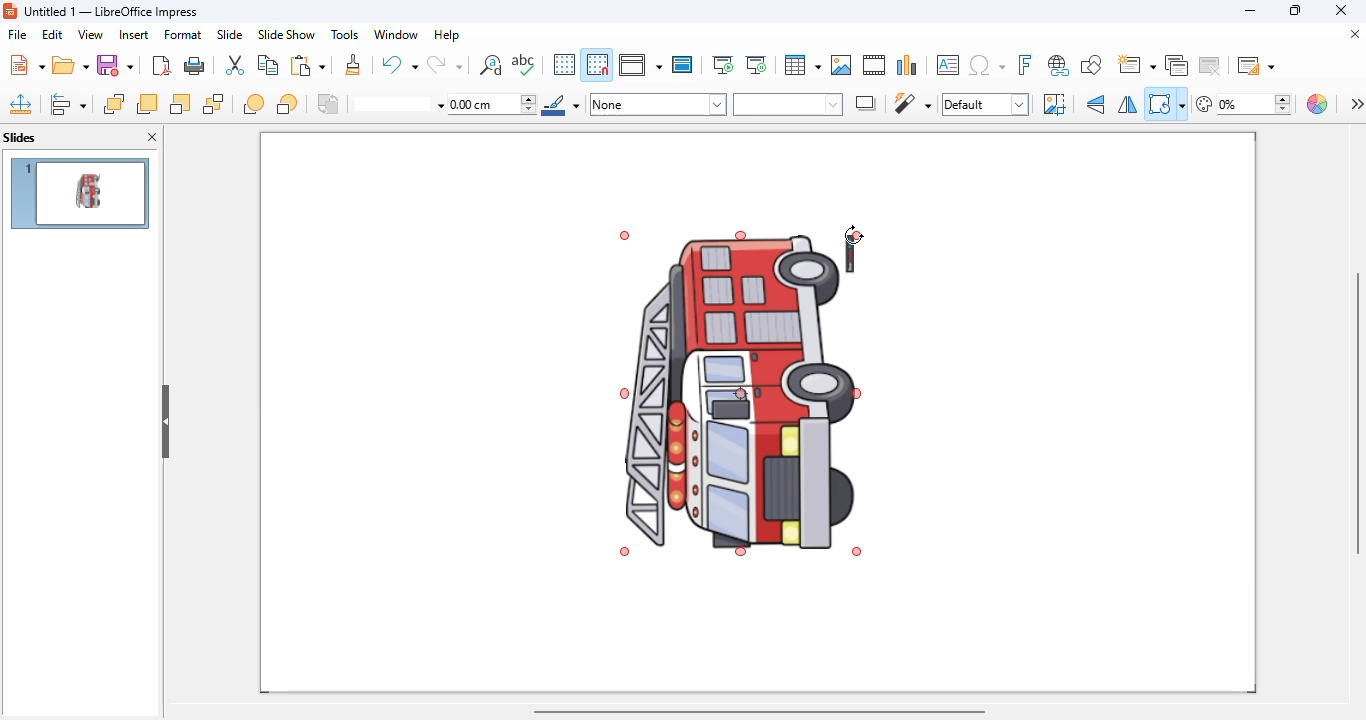 This screenshot has height=720, width=1366. What do you see at coordinates (196, 66) in the screenshot?
I see `print` at bounding box center [196, 66].